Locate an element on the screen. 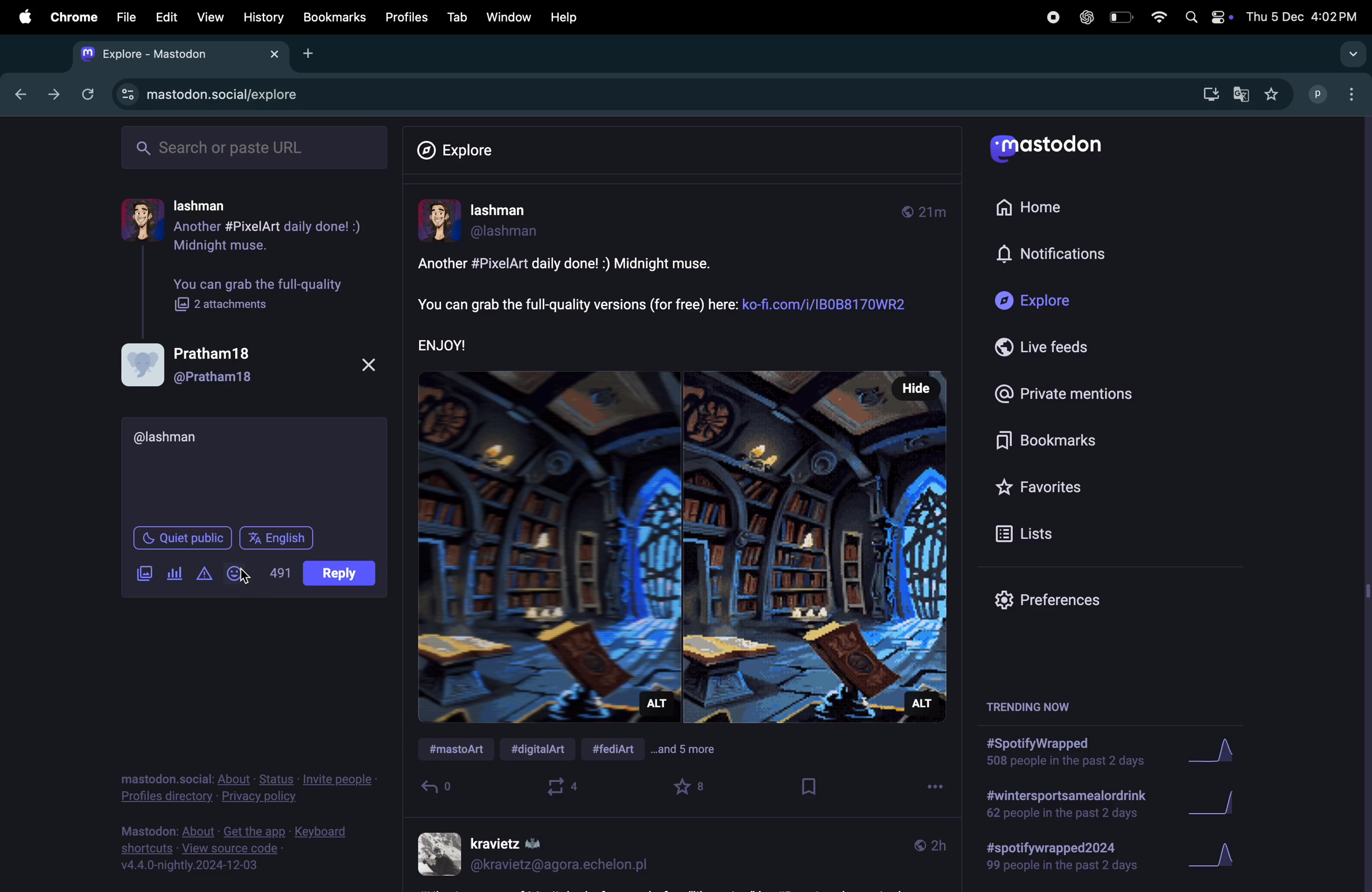 This screenshot has width=1372, height=892. google translate is located at coordinates (1240, 95).